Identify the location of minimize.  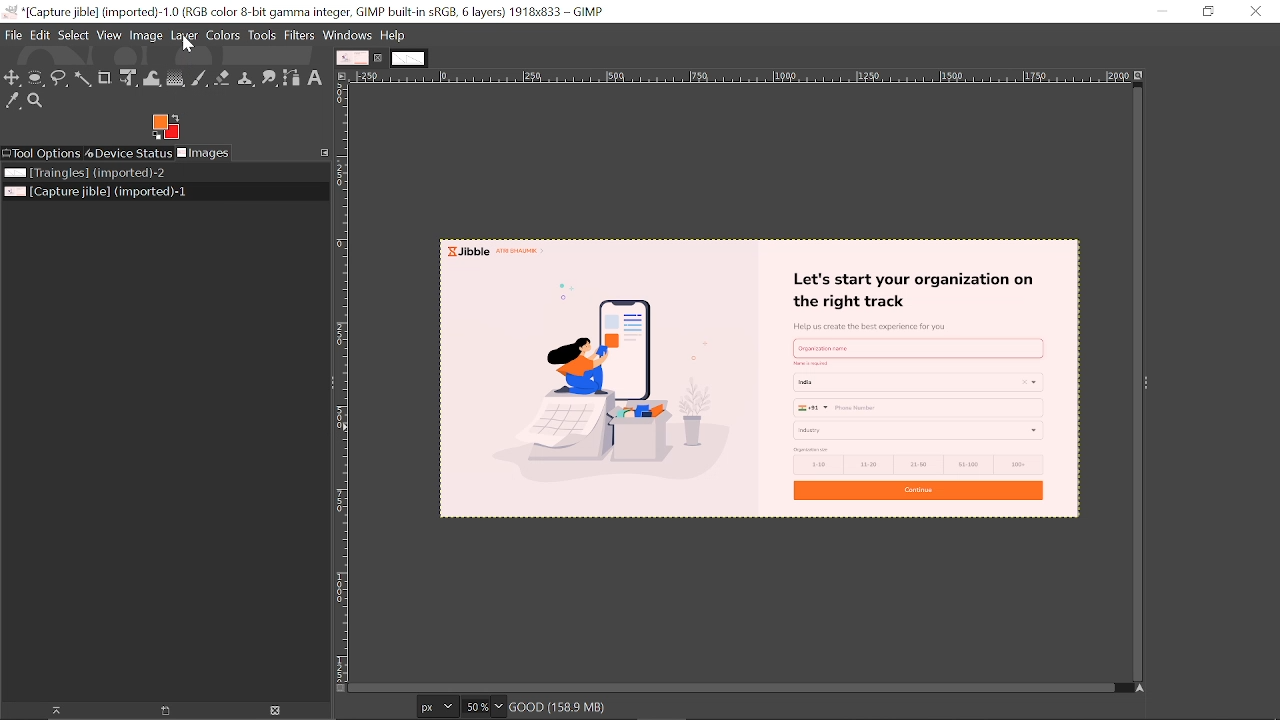
(1155, 11).